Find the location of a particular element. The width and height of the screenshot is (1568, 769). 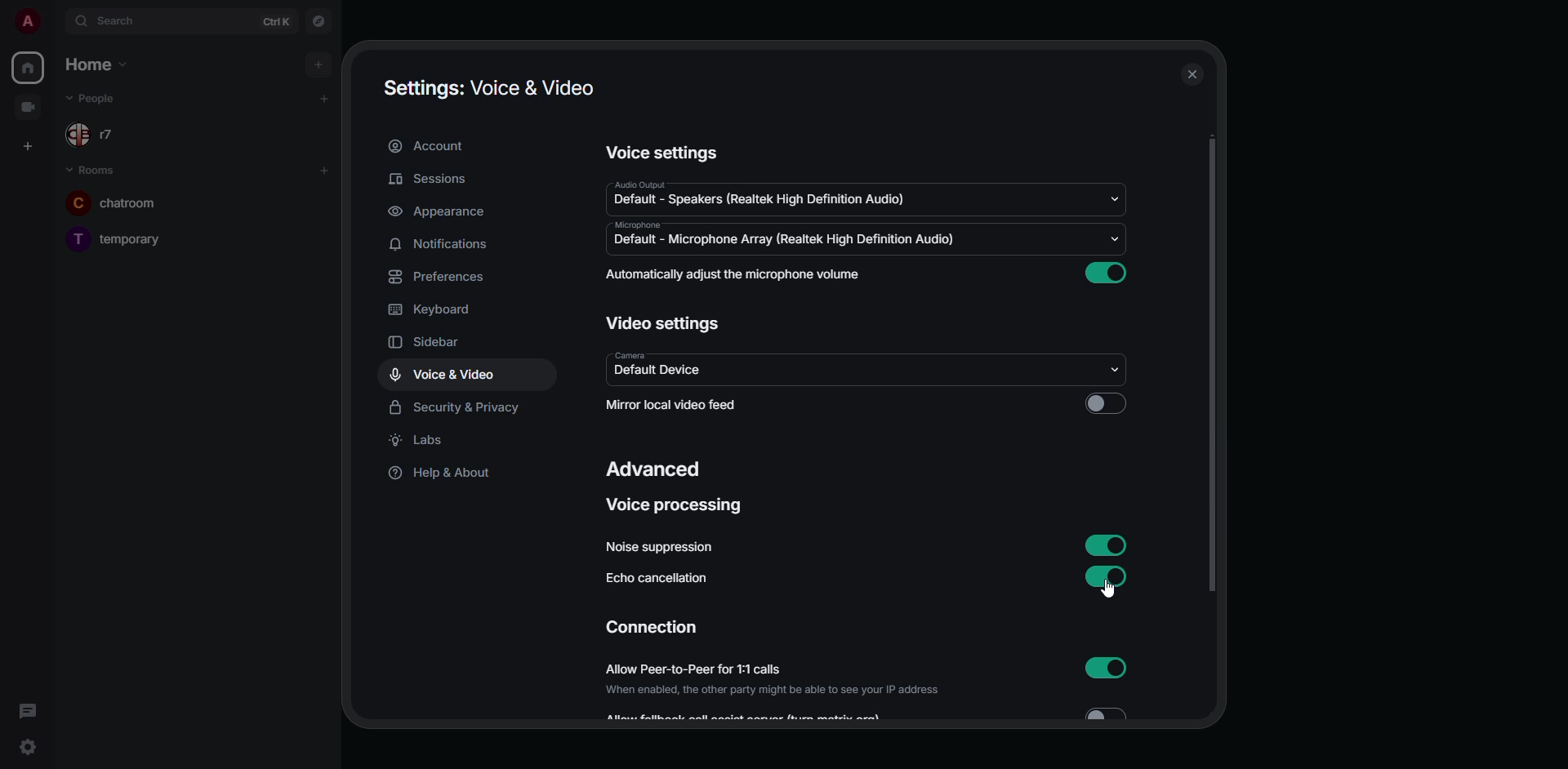

keyboard is located at coordinates (436, 309).